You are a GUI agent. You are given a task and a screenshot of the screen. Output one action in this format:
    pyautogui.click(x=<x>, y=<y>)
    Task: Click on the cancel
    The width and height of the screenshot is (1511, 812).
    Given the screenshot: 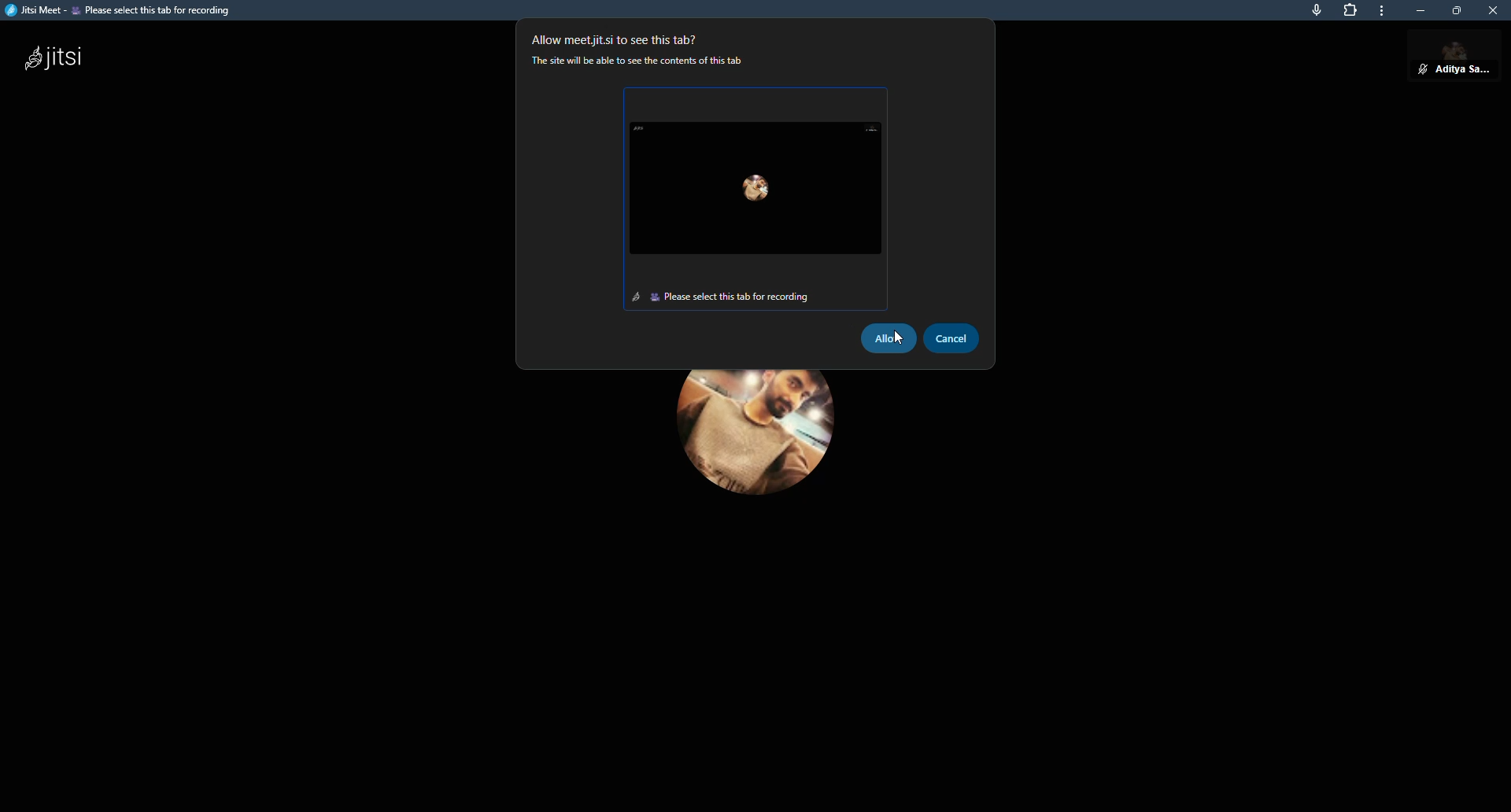 What is the action you would take?
    pyautogui.click(x=956, y=338)
    